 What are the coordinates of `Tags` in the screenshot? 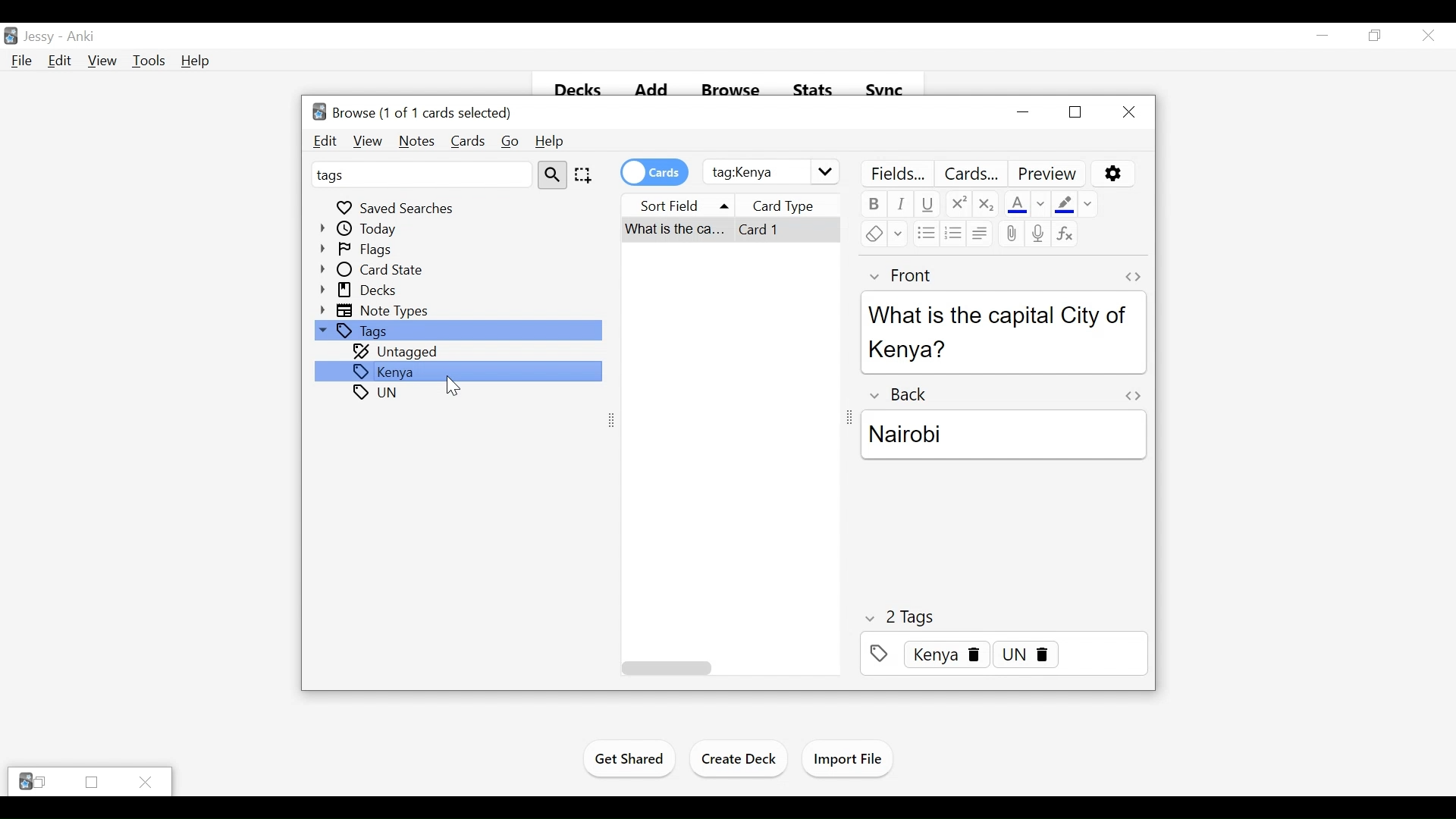 It's located at (457, 331).